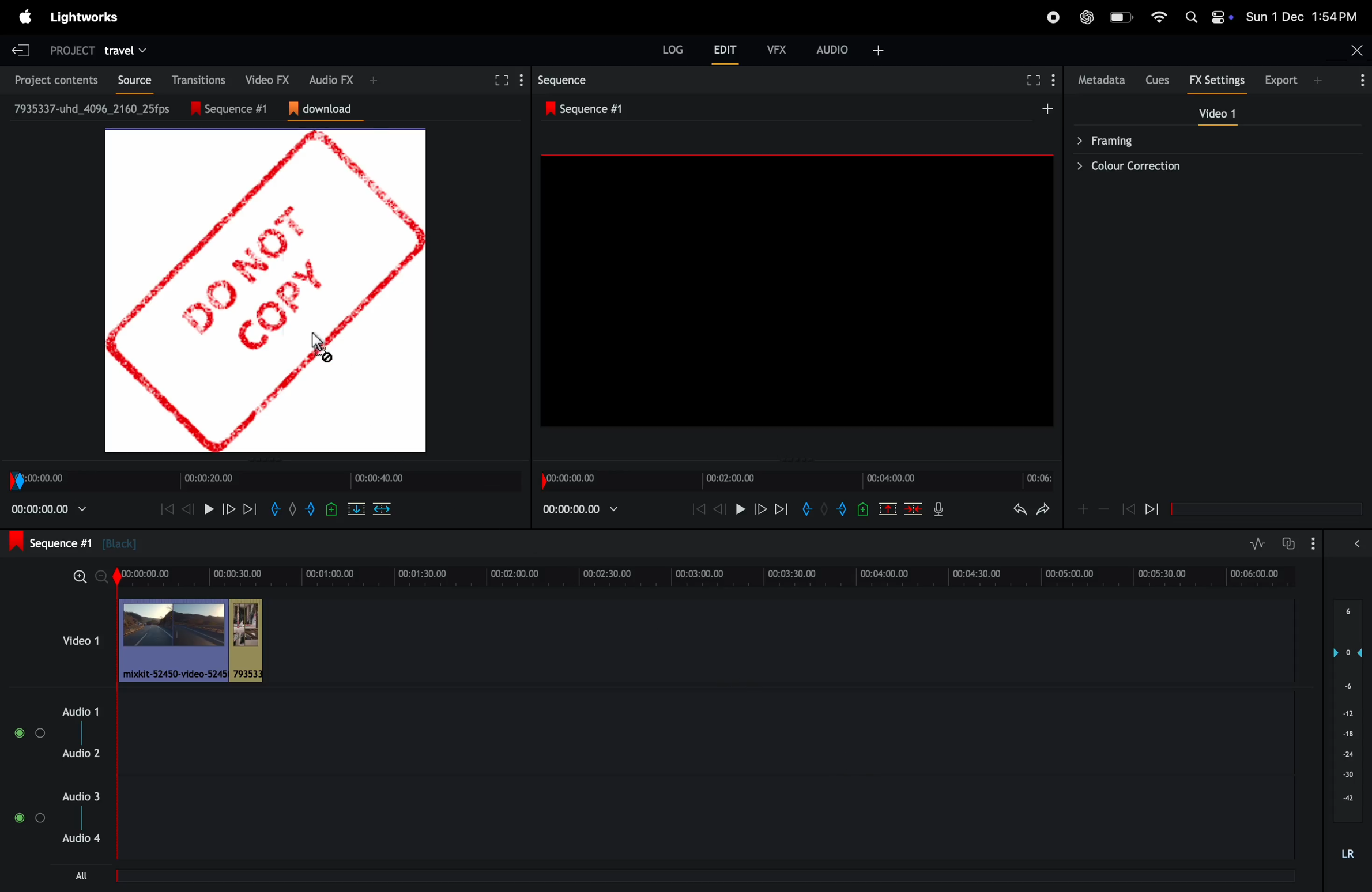 The image size is (1372, 892). Describe the element at coordinates (21, 50) in the screenshot. I see `exit` at that location.